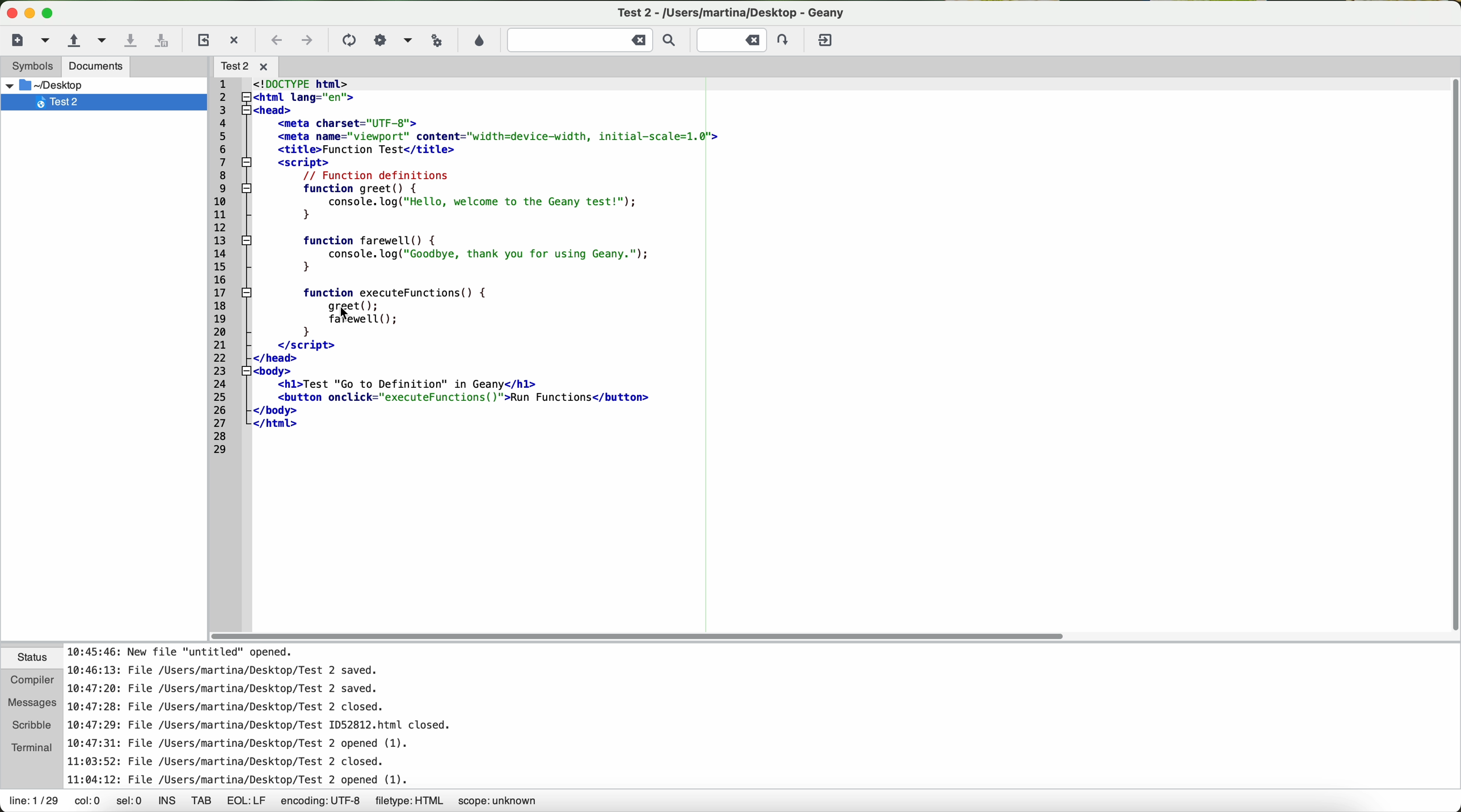  Describe the element at coordinates (347, 41) in the screenshot. I see `icon` at that location.